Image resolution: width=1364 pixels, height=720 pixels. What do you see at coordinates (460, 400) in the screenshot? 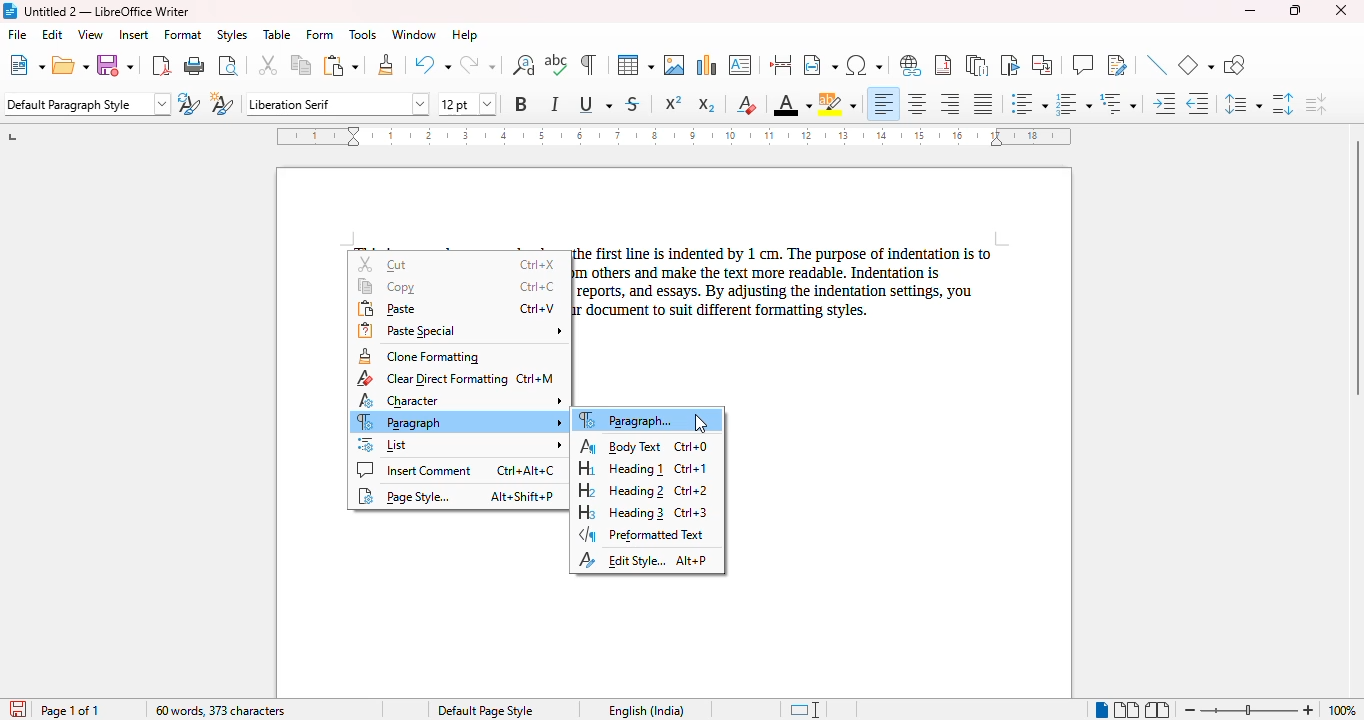
I see `character` at bounding box center [460, 400].